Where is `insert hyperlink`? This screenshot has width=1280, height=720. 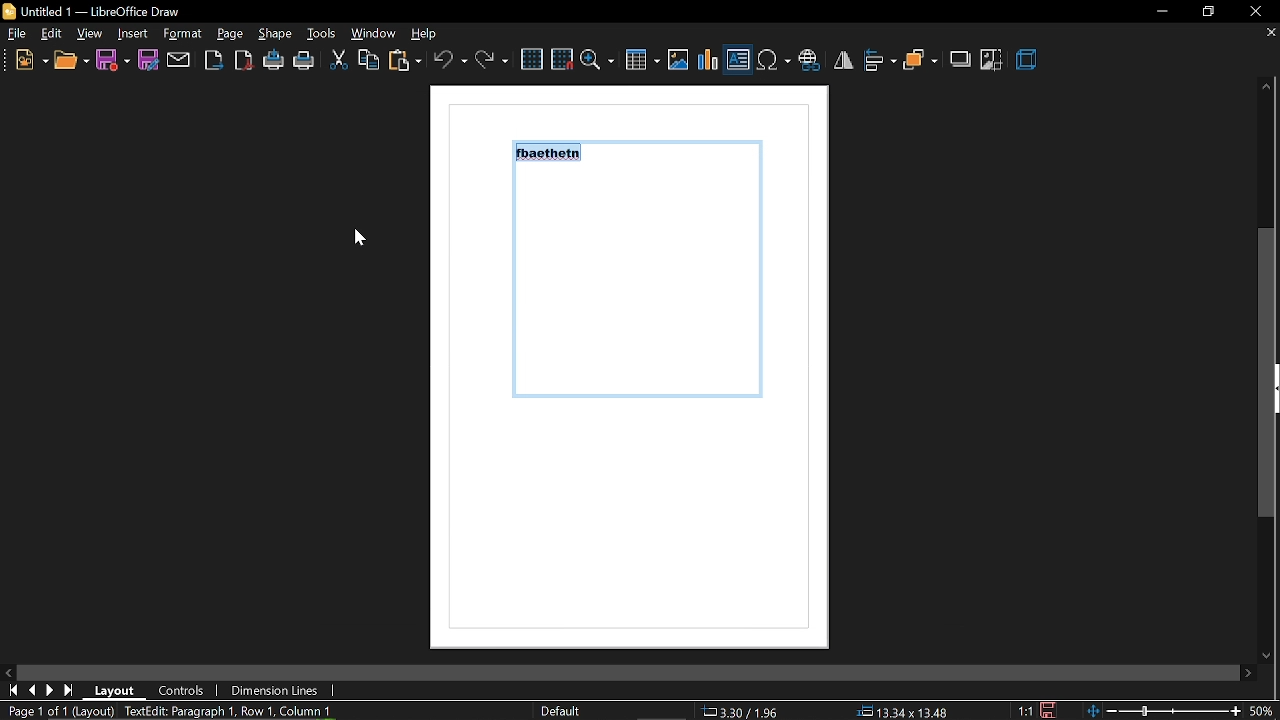
insert hyperlink is located at coordinates (809, 62).